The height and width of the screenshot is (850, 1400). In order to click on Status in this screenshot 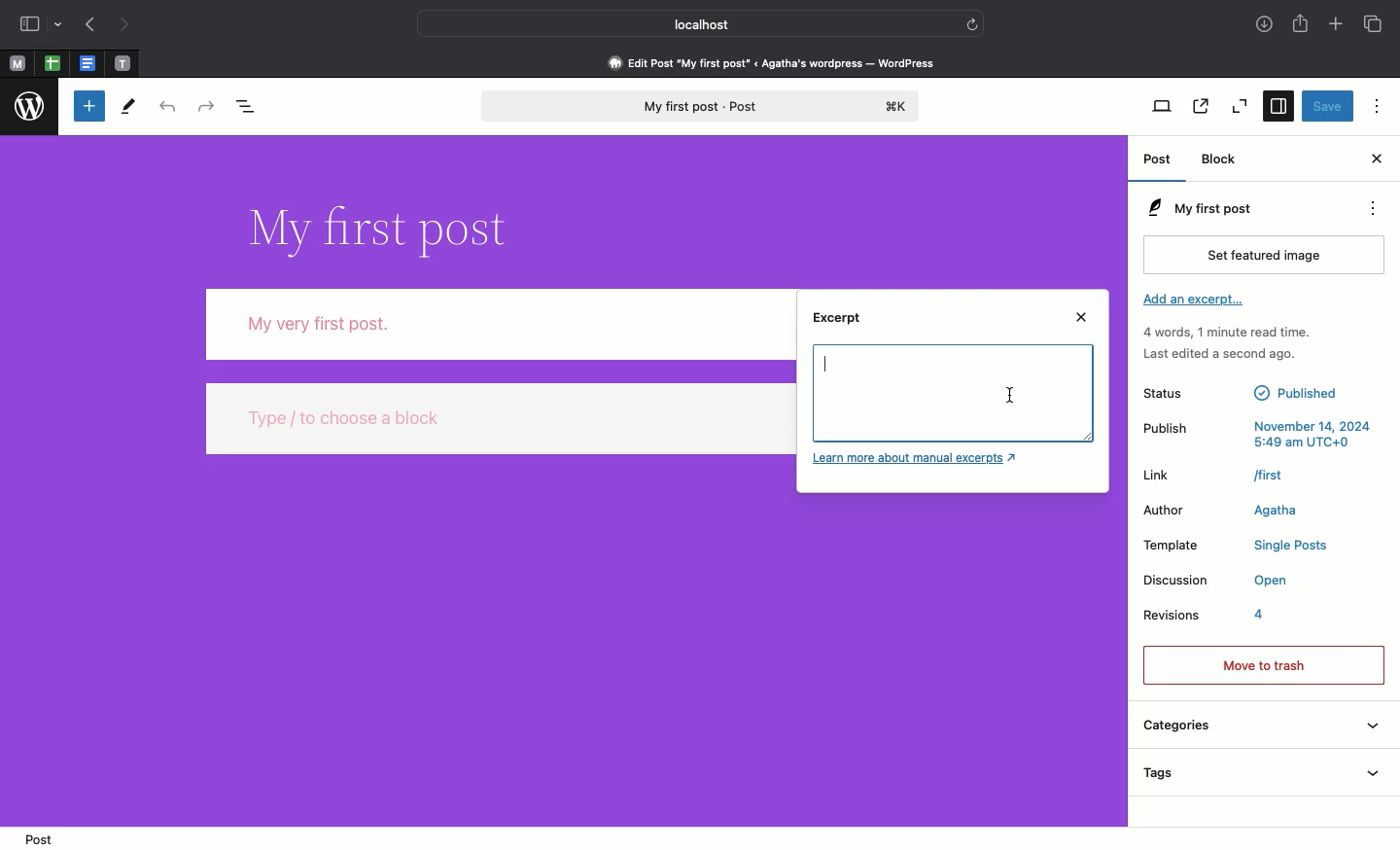, I will do `click(1243, 392)`.